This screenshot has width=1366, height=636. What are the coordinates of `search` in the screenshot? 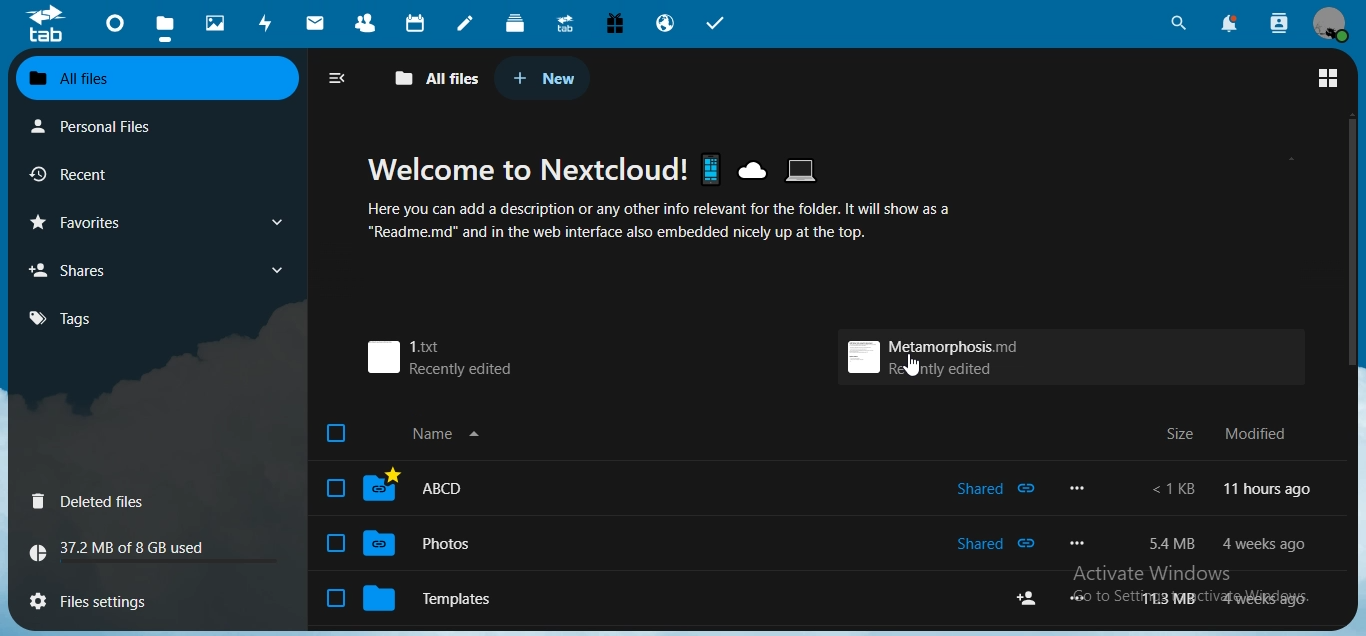 It's located at (1179, 23).